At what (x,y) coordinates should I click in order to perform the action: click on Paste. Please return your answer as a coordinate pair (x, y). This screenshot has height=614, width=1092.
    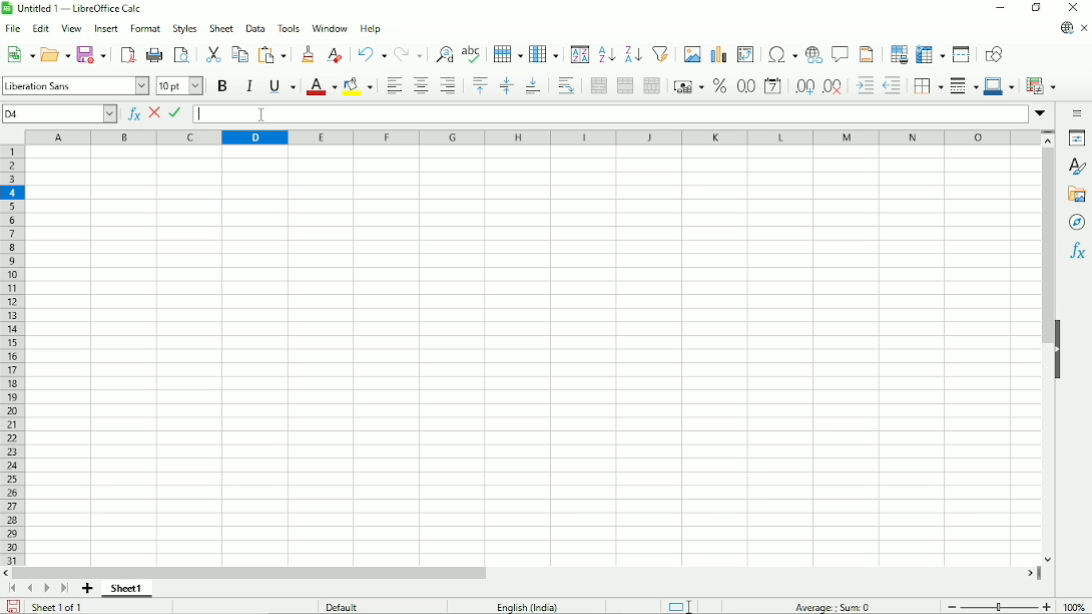
    Looking at the image, I should click on (272, 54).